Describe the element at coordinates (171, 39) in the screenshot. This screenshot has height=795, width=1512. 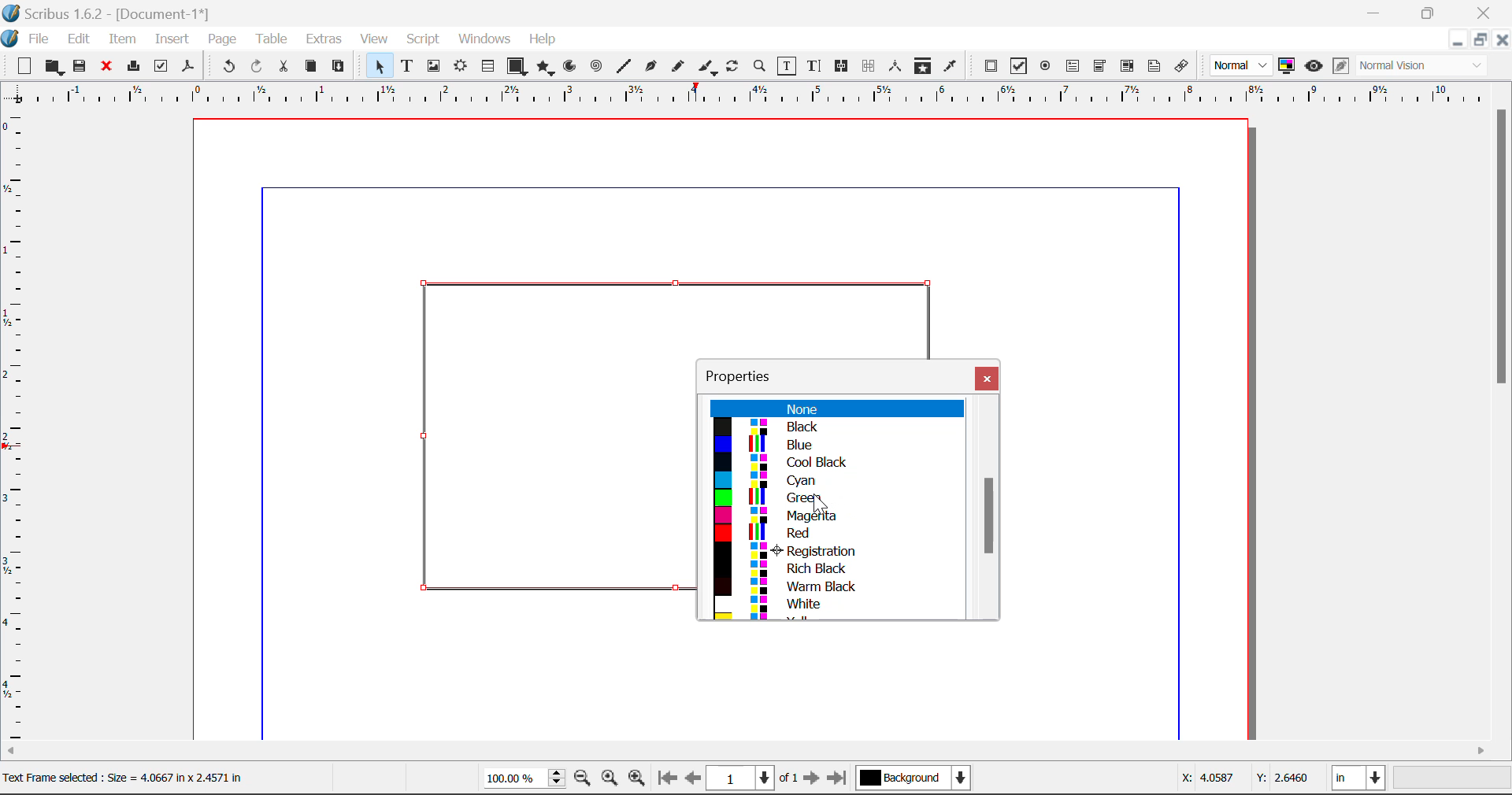
I see `Insert` at that location.